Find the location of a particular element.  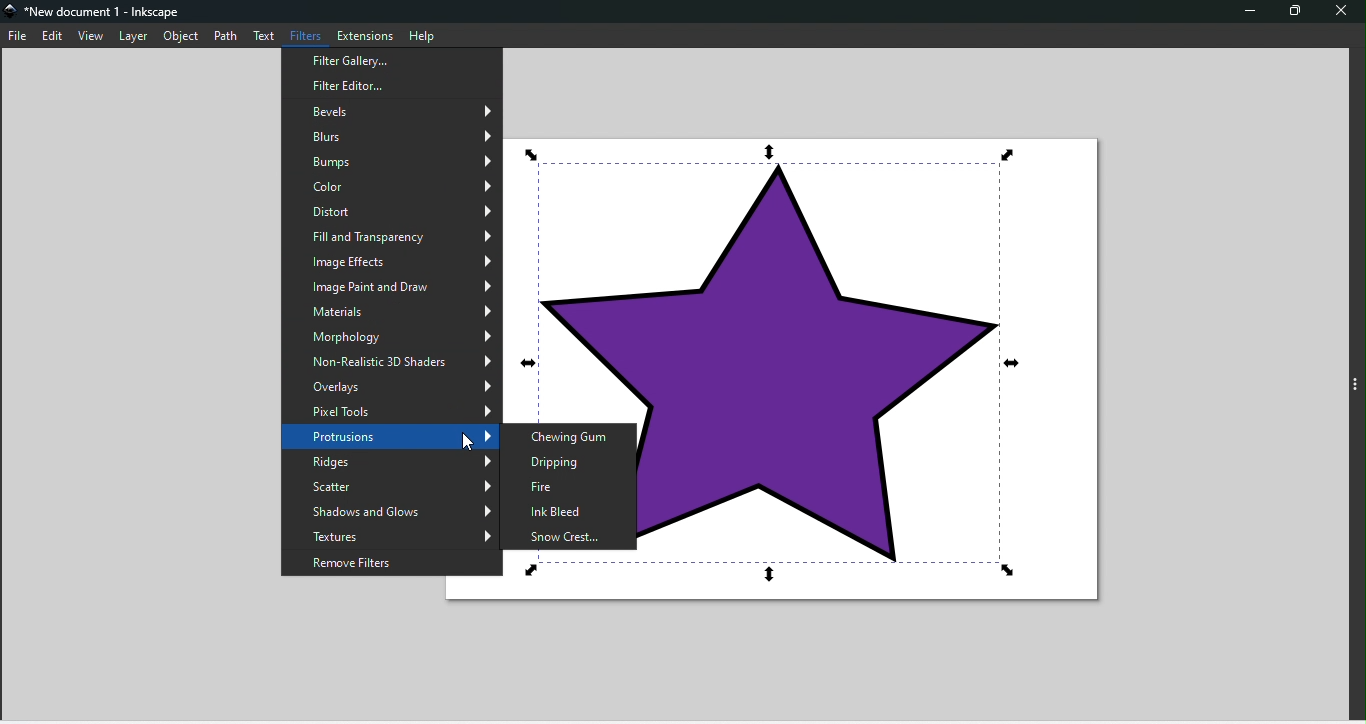

Textures is located at coordinates (389, 535).